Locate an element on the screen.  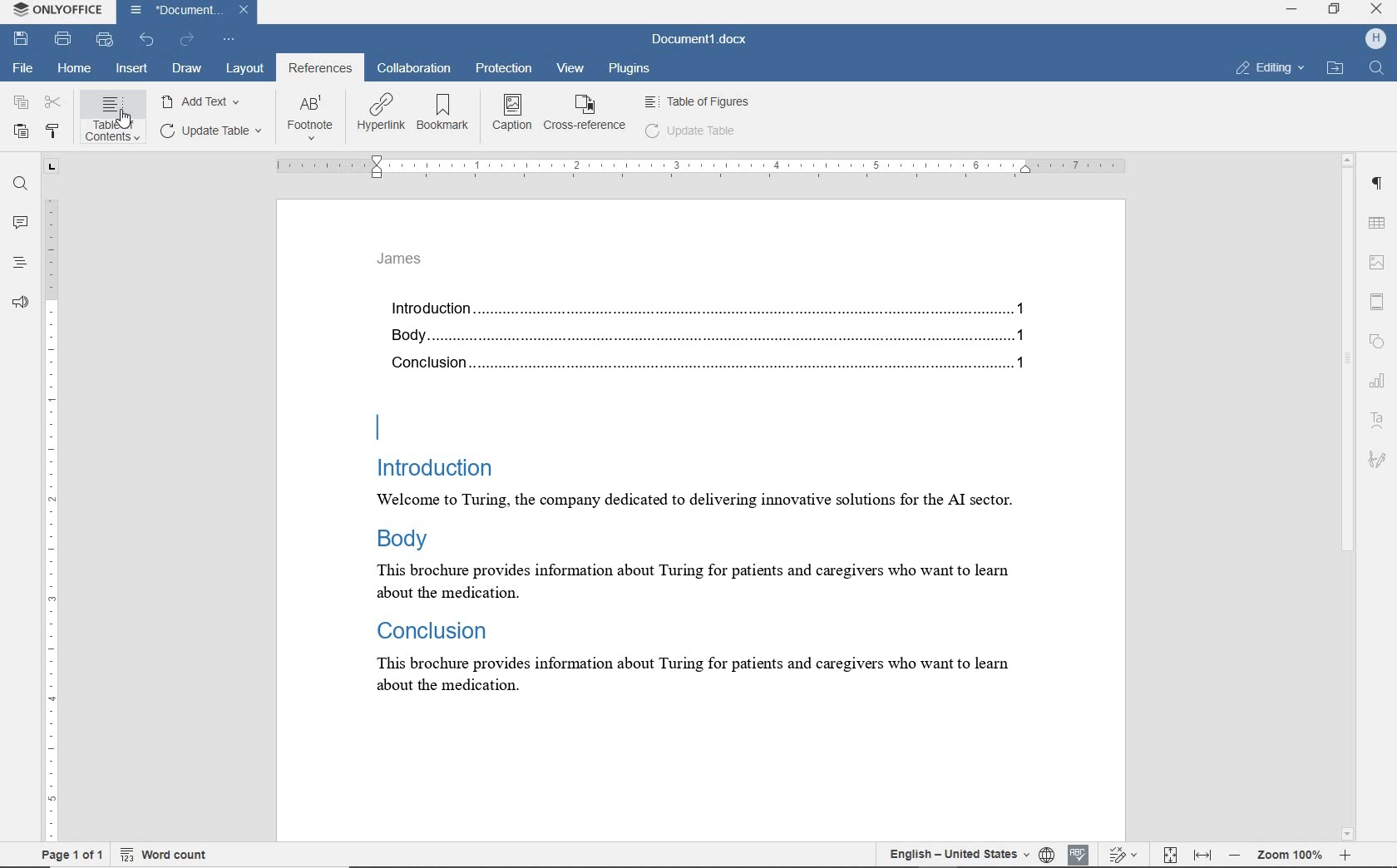
FIND is located at coordinates (1378, 68).